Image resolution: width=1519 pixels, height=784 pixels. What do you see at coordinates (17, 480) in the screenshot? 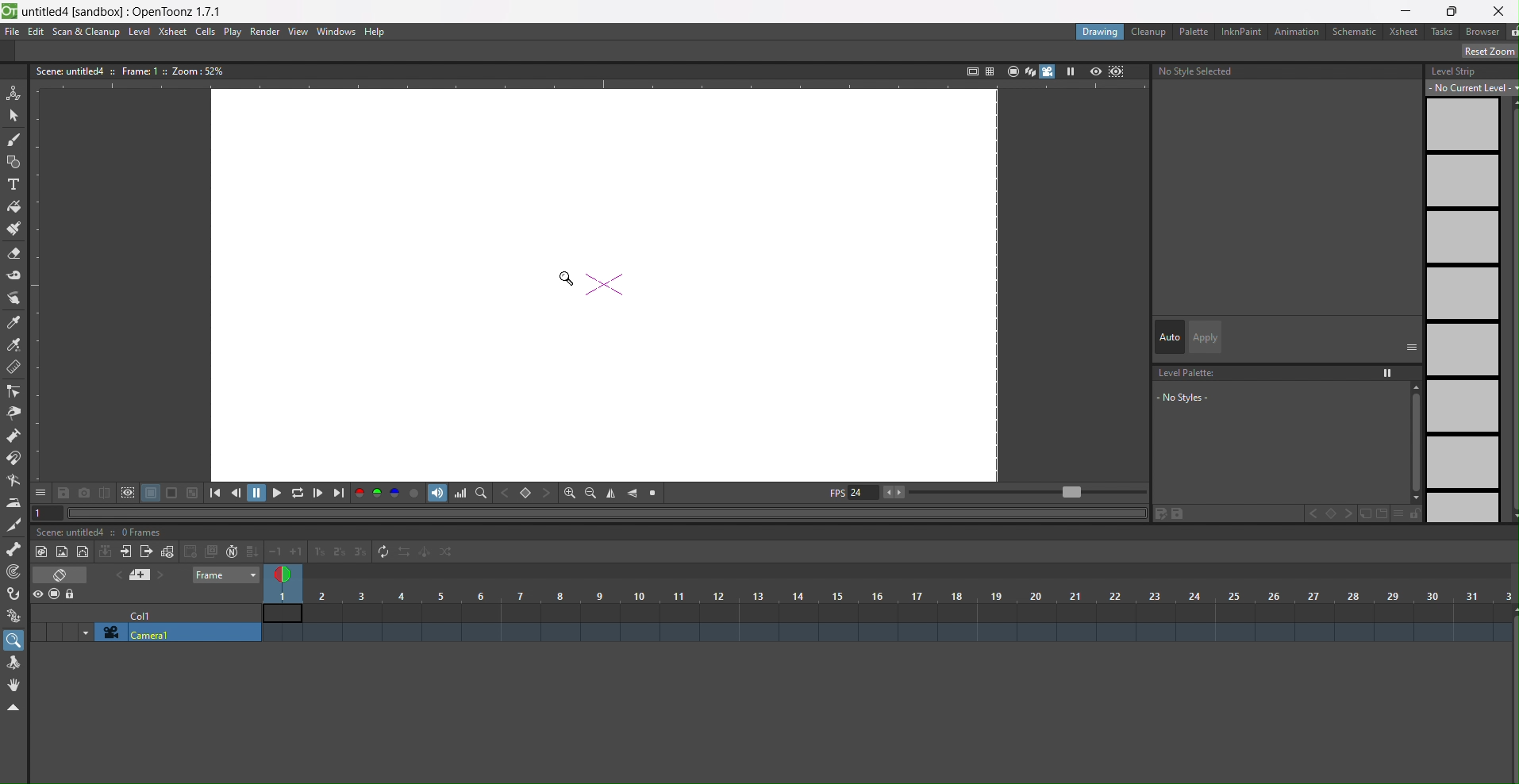
I see `bender tool` at bounding box center [17, 480].